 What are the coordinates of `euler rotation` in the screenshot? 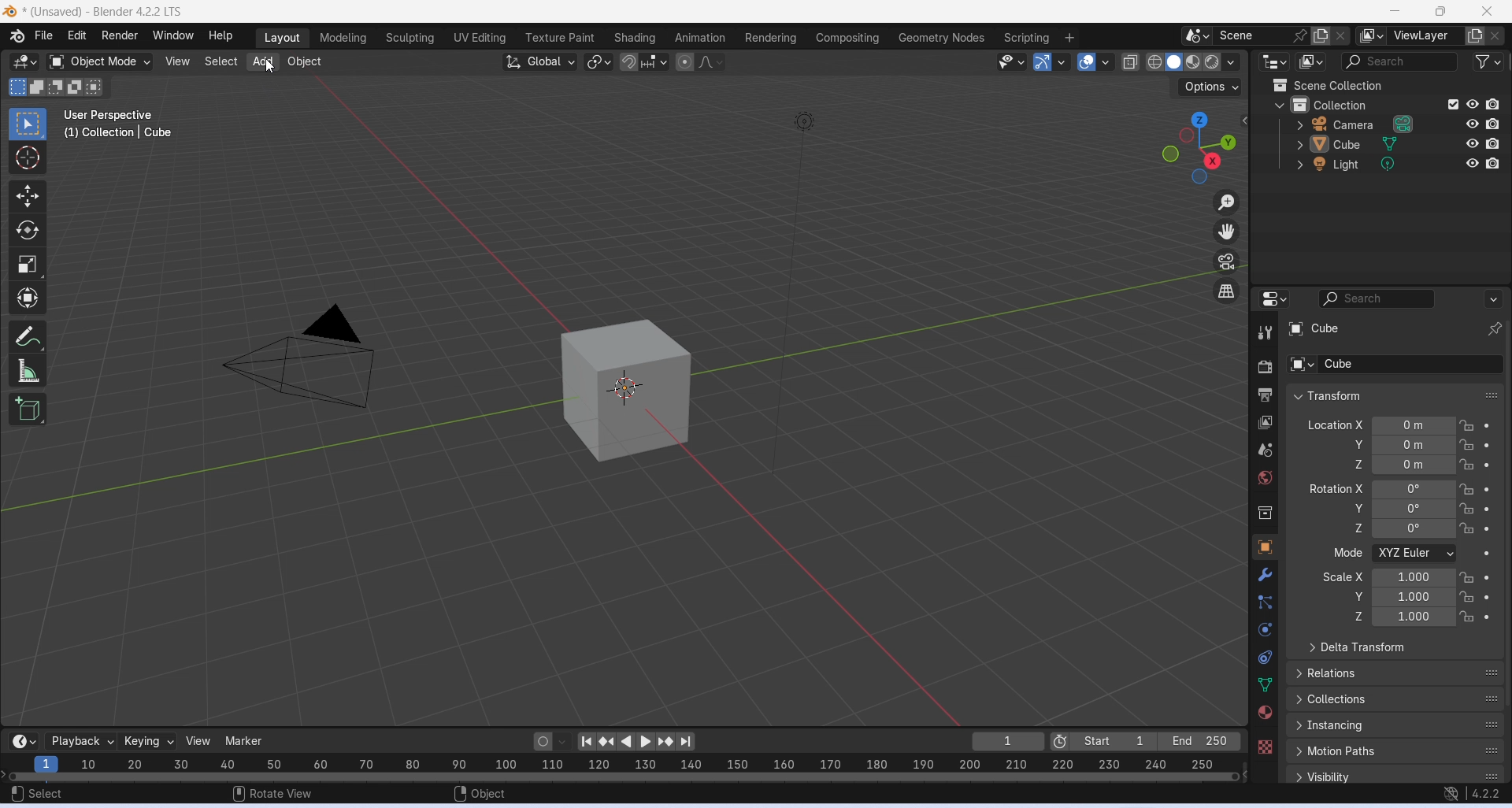 It's located at (1414, 490).